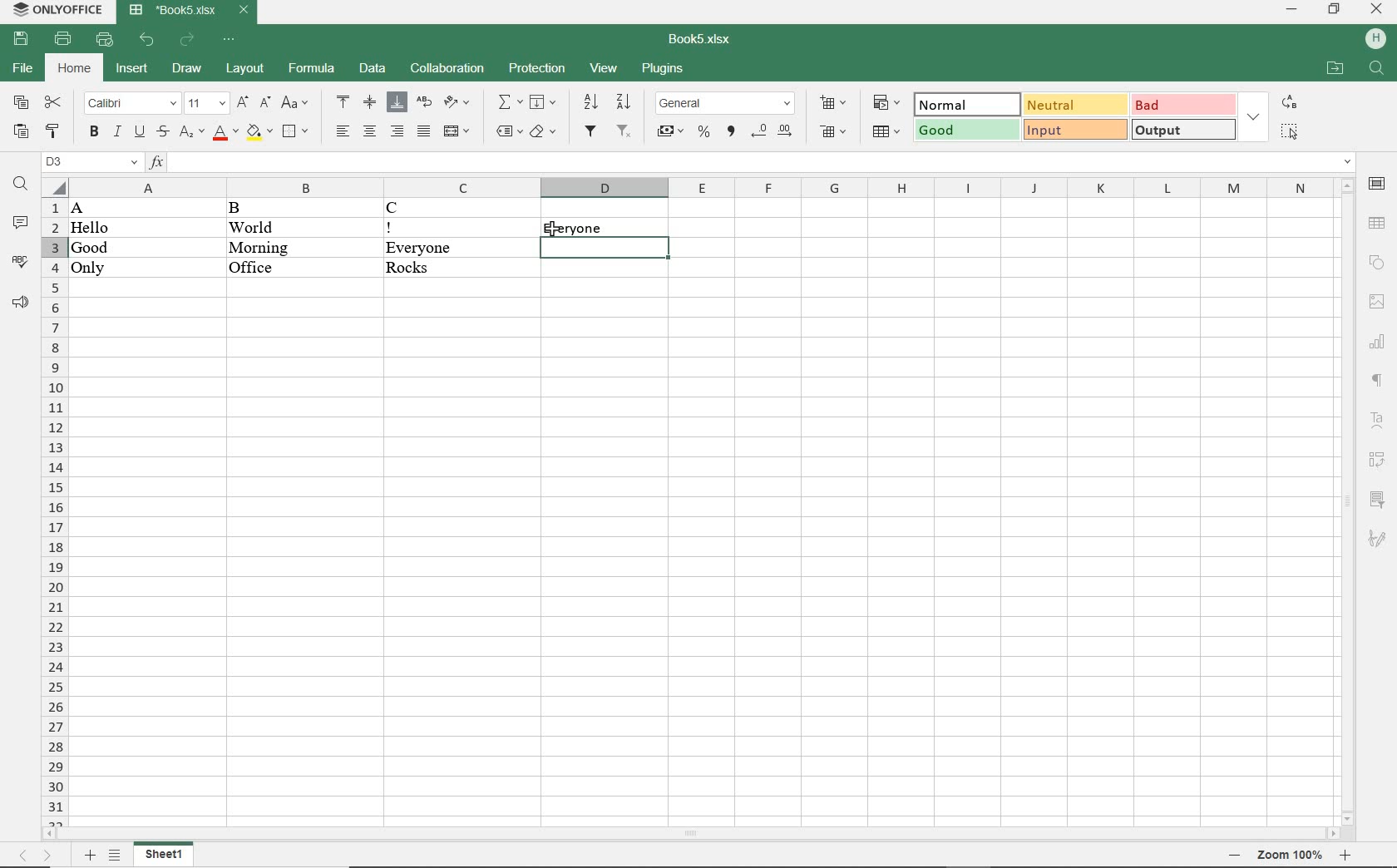  I want to click on good, so click(966, 131).